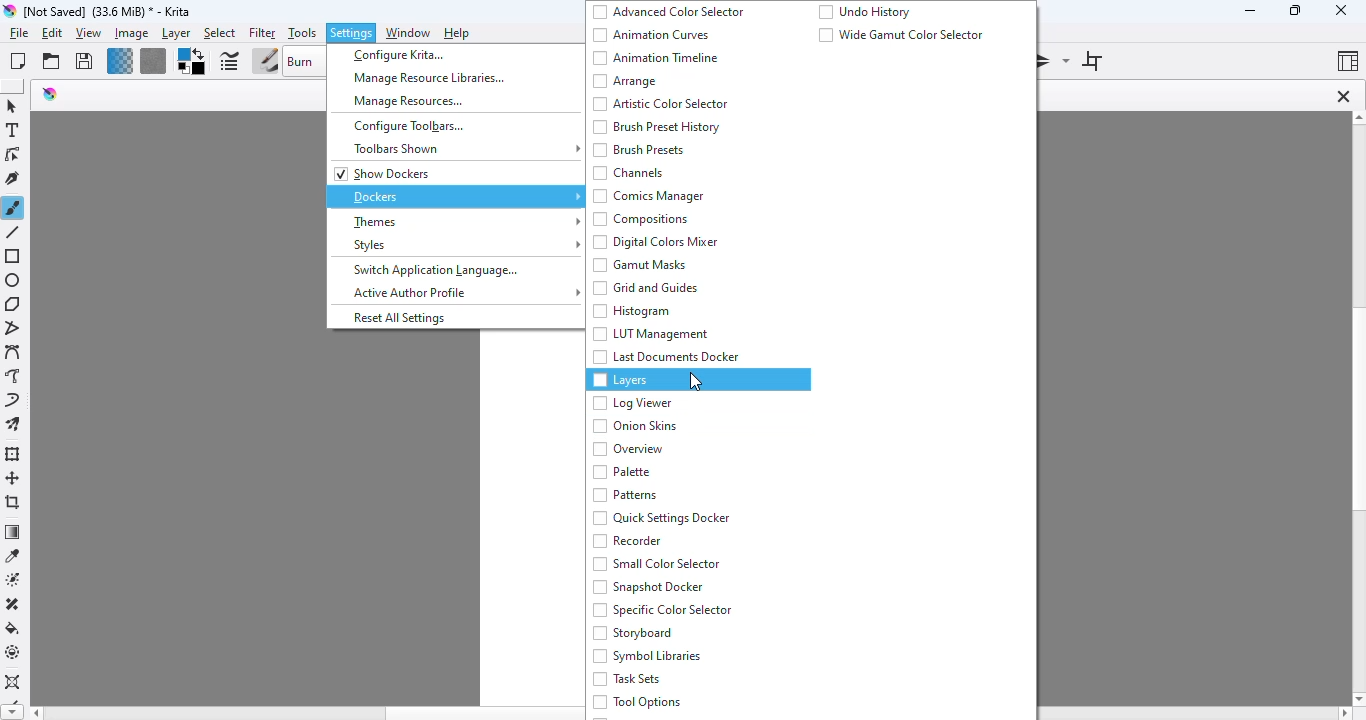 The width and height of the screenshot is (1366, 720). What do you see at coordinates (14, 257) in the screenshot?
I see `rectangle tool` at bounding box center [14, 257].